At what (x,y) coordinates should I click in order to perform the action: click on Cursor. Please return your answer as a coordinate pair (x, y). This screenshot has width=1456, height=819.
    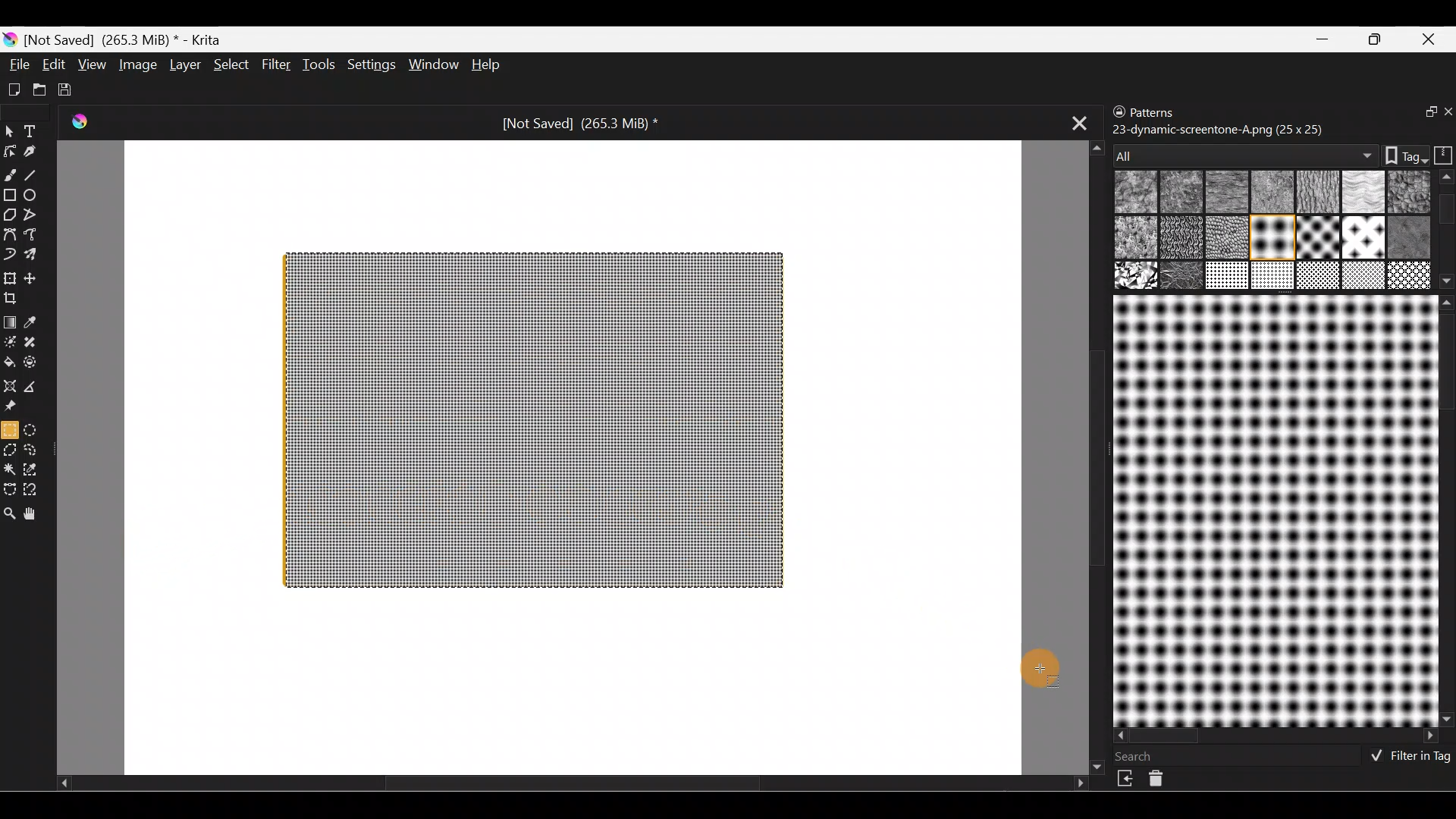
    Looking at the image, I should click on (1042, 673).